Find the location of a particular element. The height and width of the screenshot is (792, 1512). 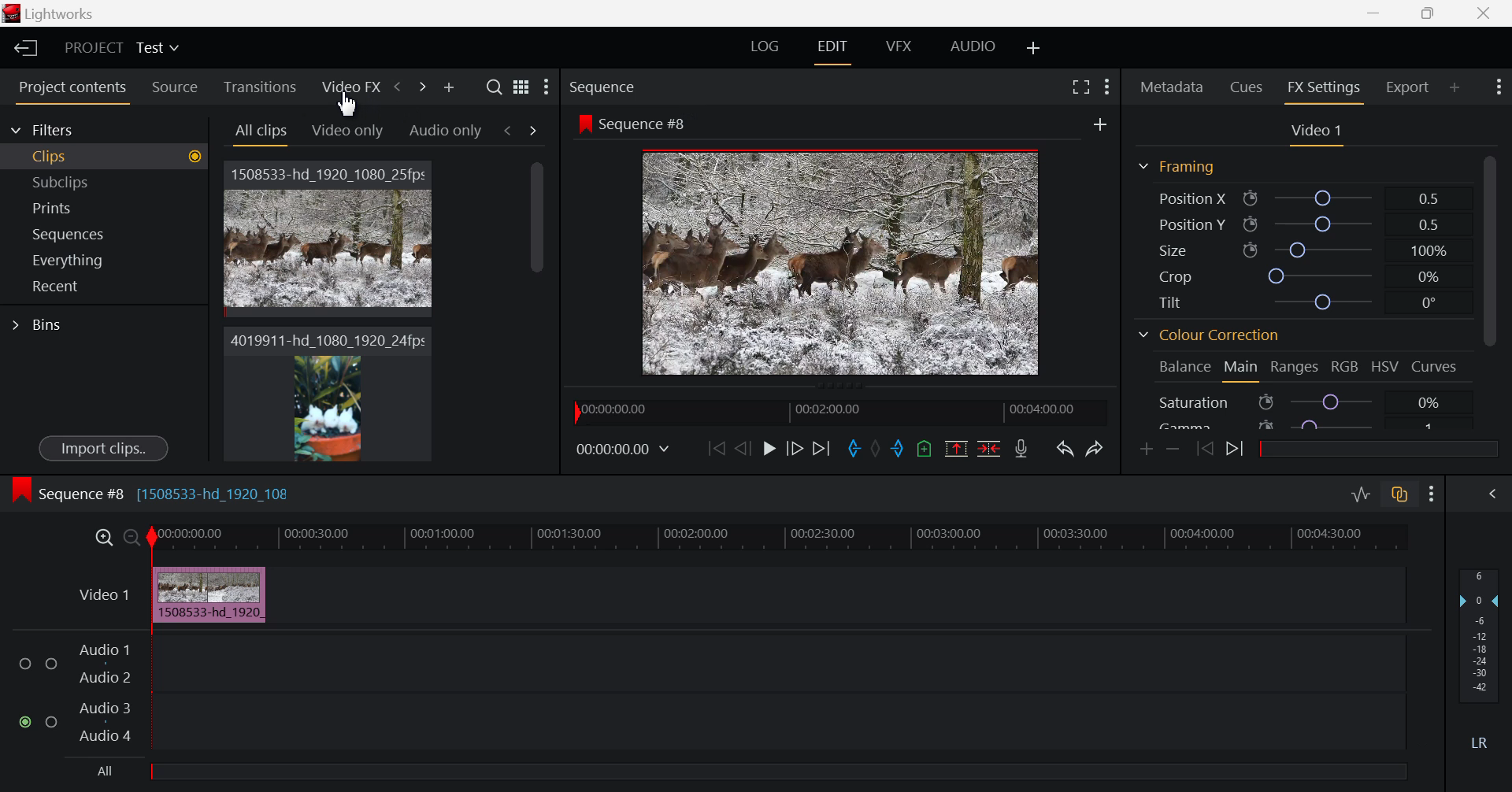

Mark Cue is located at coordinates (925, 449).